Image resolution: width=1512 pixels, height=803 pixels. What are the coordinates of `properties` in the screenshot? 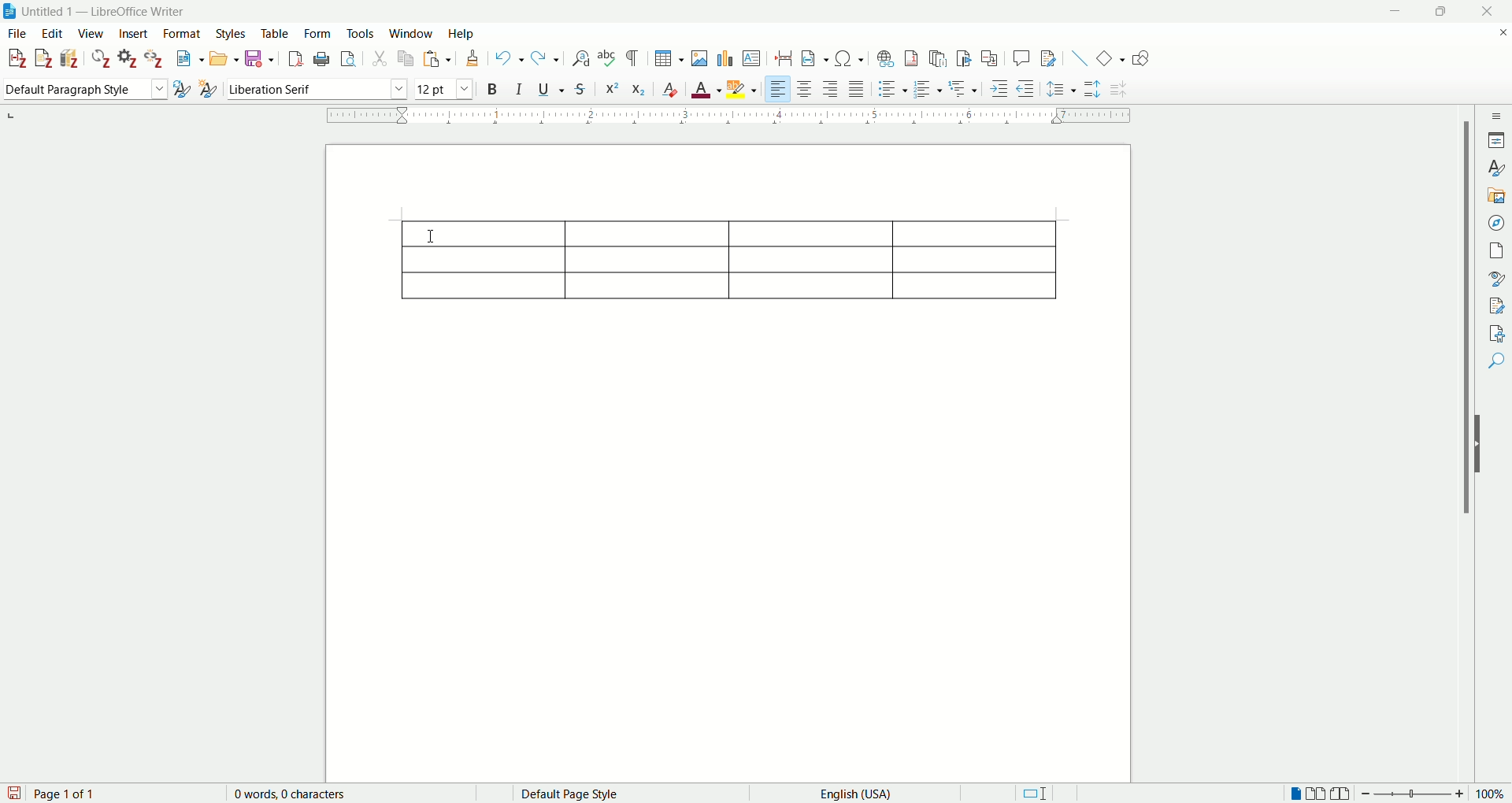 It's located at (1495, 142).